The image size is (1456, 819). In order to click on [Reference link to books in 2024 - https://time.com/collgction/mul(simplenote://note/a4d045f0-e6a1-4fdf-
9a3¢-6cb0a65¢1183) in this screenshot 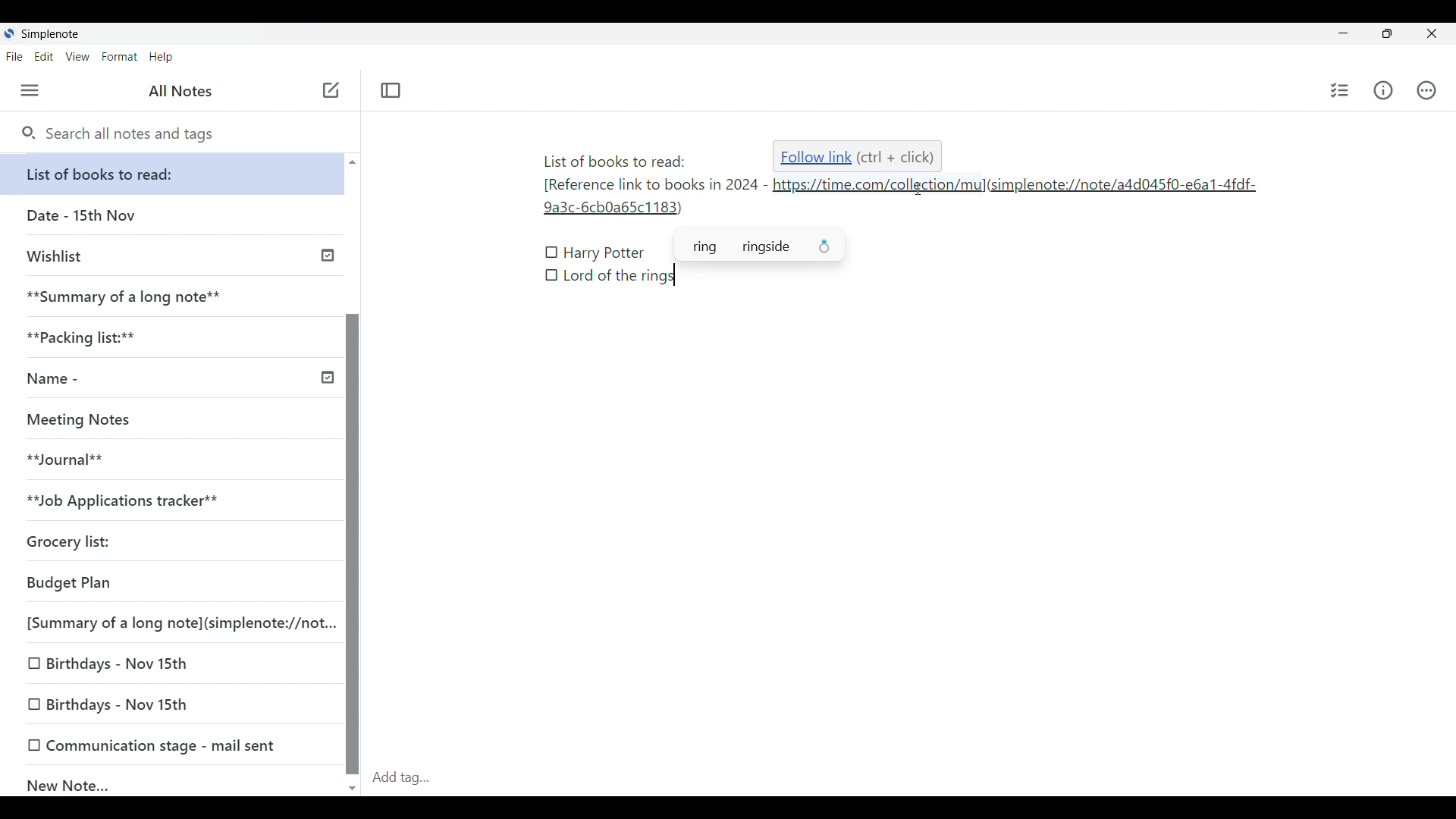, I will do `click(904, 199)`.